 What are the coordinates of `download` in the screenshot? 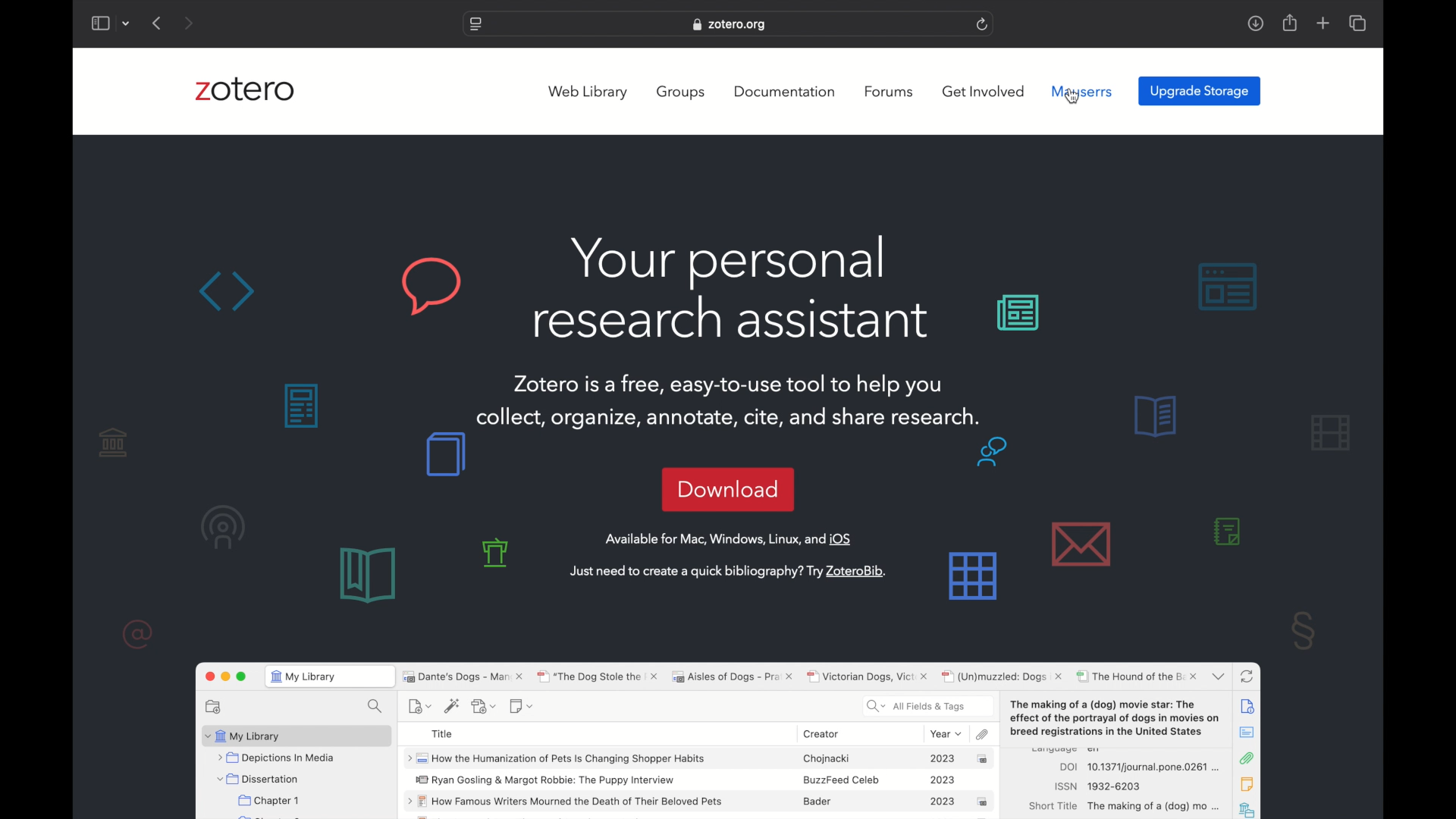 It's located at (728, 489).